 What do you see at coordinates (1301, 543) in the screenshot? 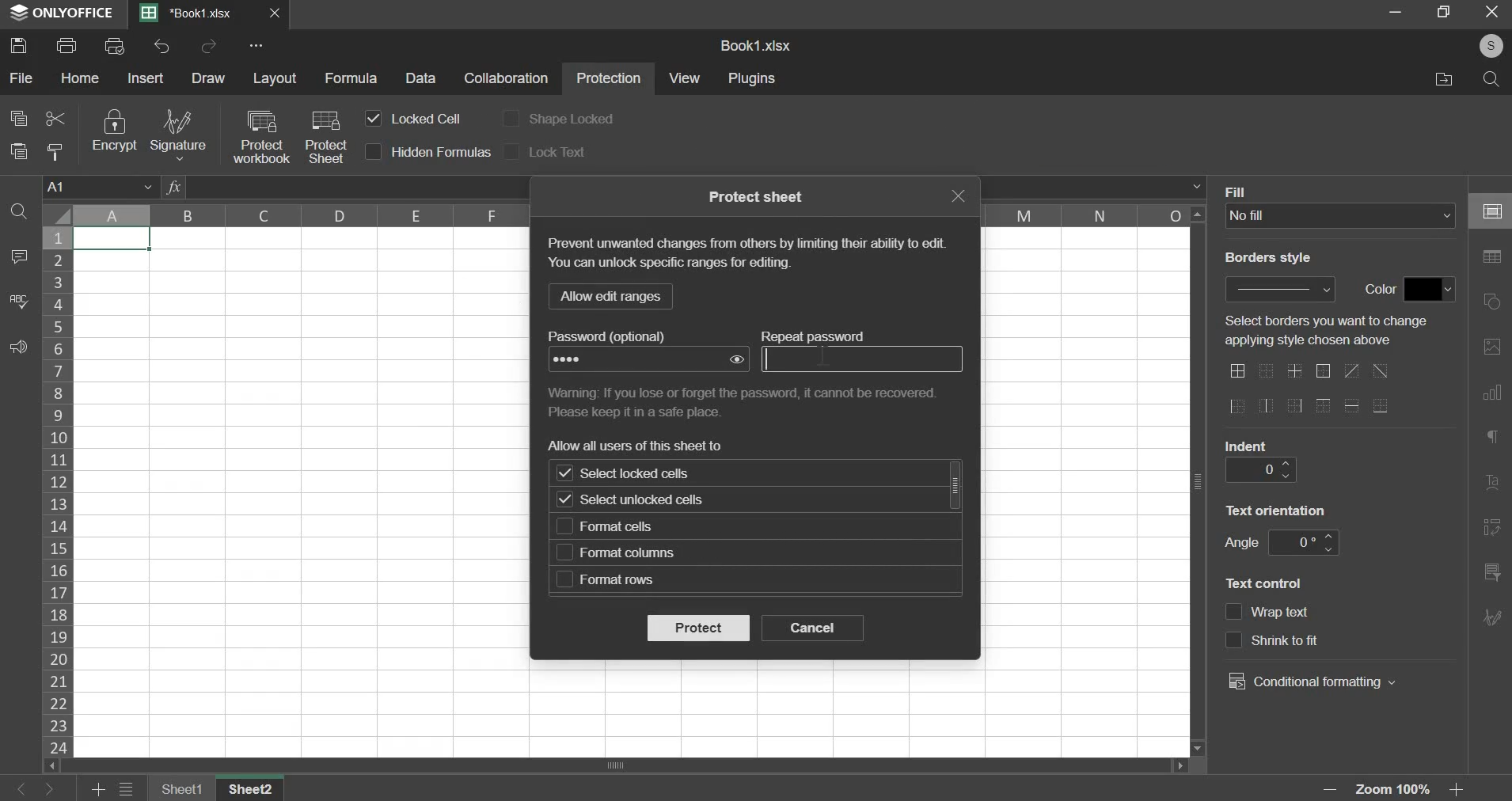
I see `angle` at bounding box center [1301, 543].